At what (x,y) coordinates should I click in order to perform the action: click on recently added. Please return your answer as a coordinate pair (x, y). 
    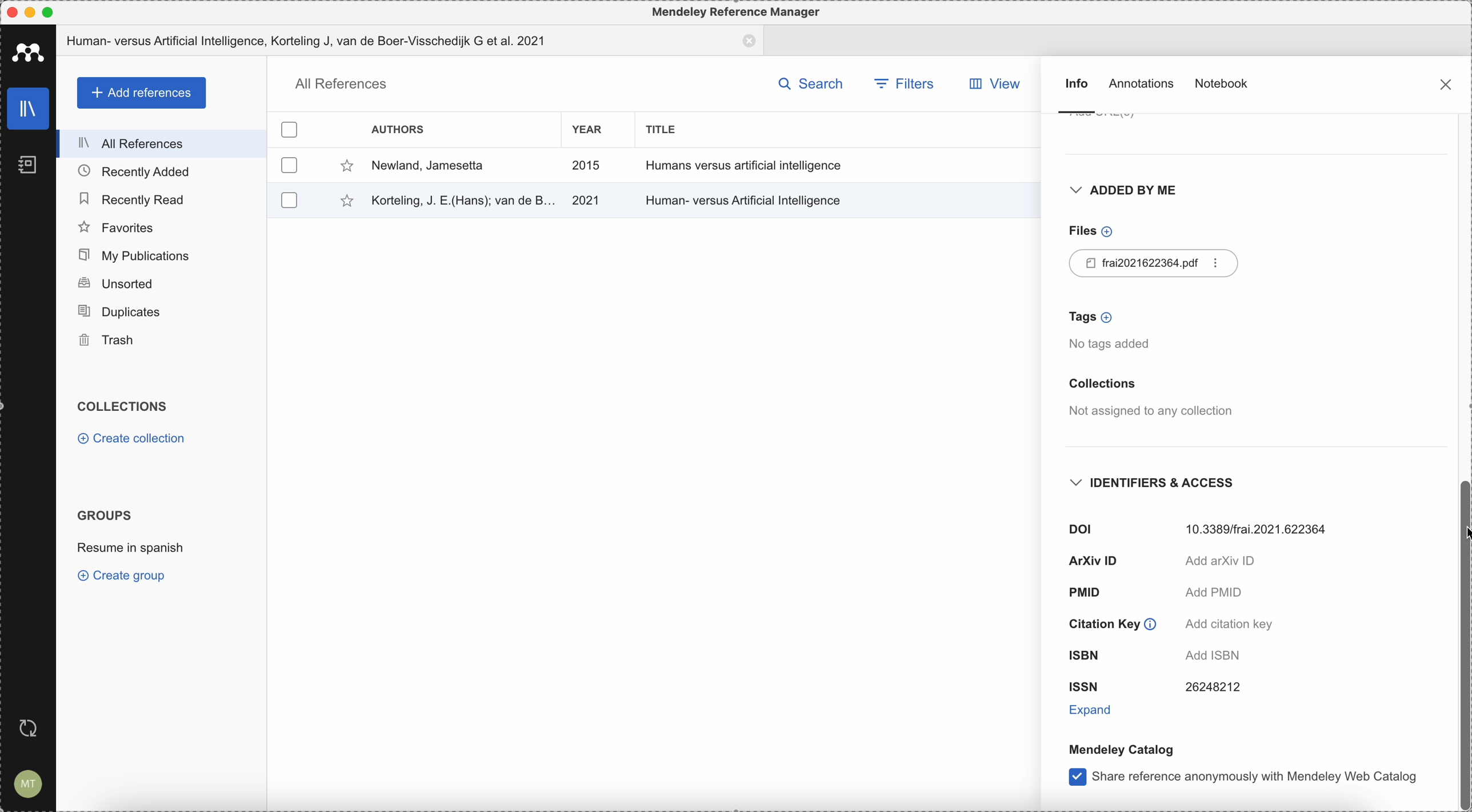
    Looking at the image, I should click on (161, 171).